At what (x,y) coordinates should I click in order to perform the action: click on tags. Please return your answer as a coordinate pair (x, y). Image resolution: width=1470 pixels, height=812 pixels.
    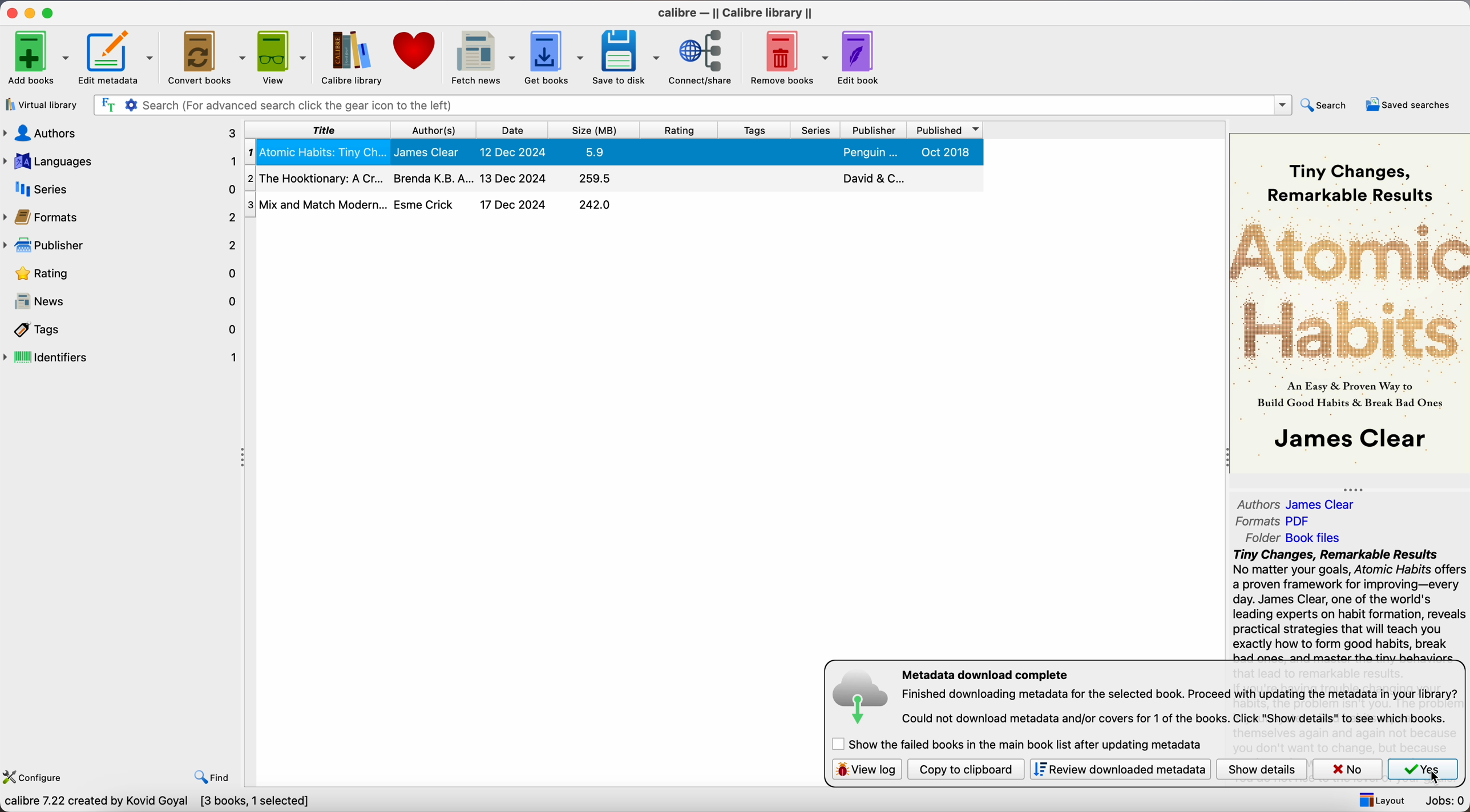
    Looking at the image, I should click on (127, 330).